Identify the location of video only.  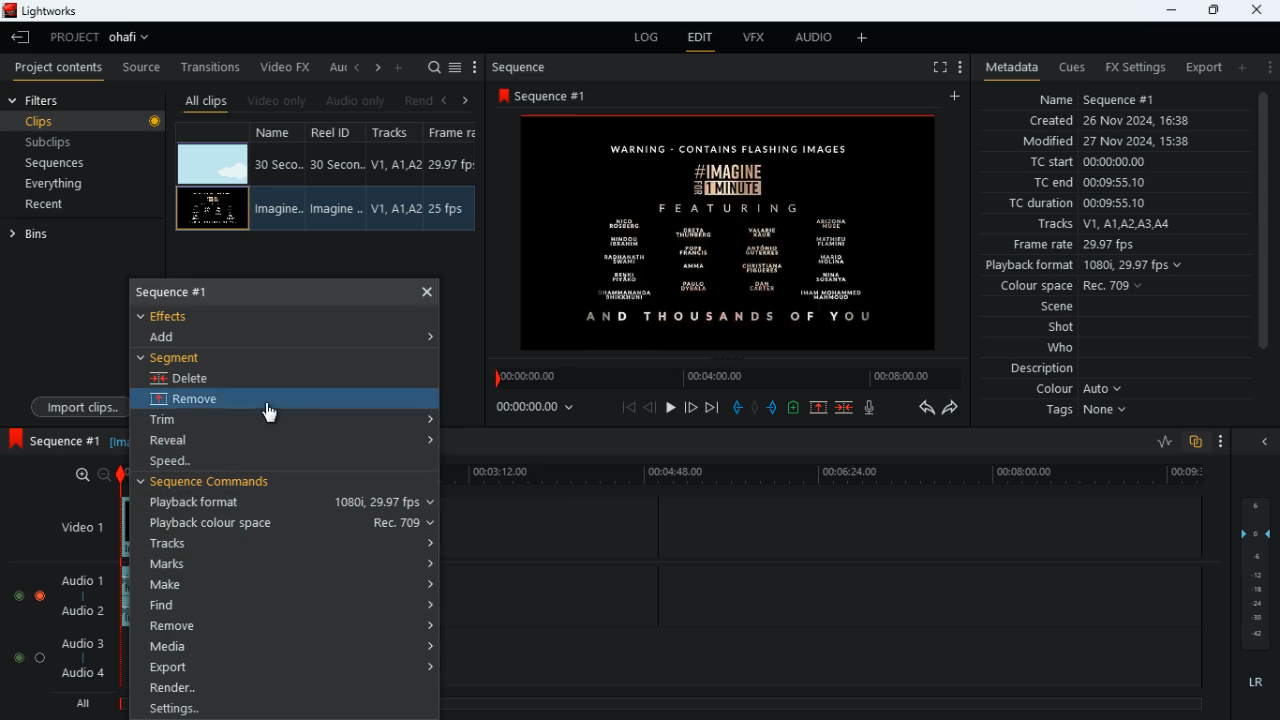
(280, 98).